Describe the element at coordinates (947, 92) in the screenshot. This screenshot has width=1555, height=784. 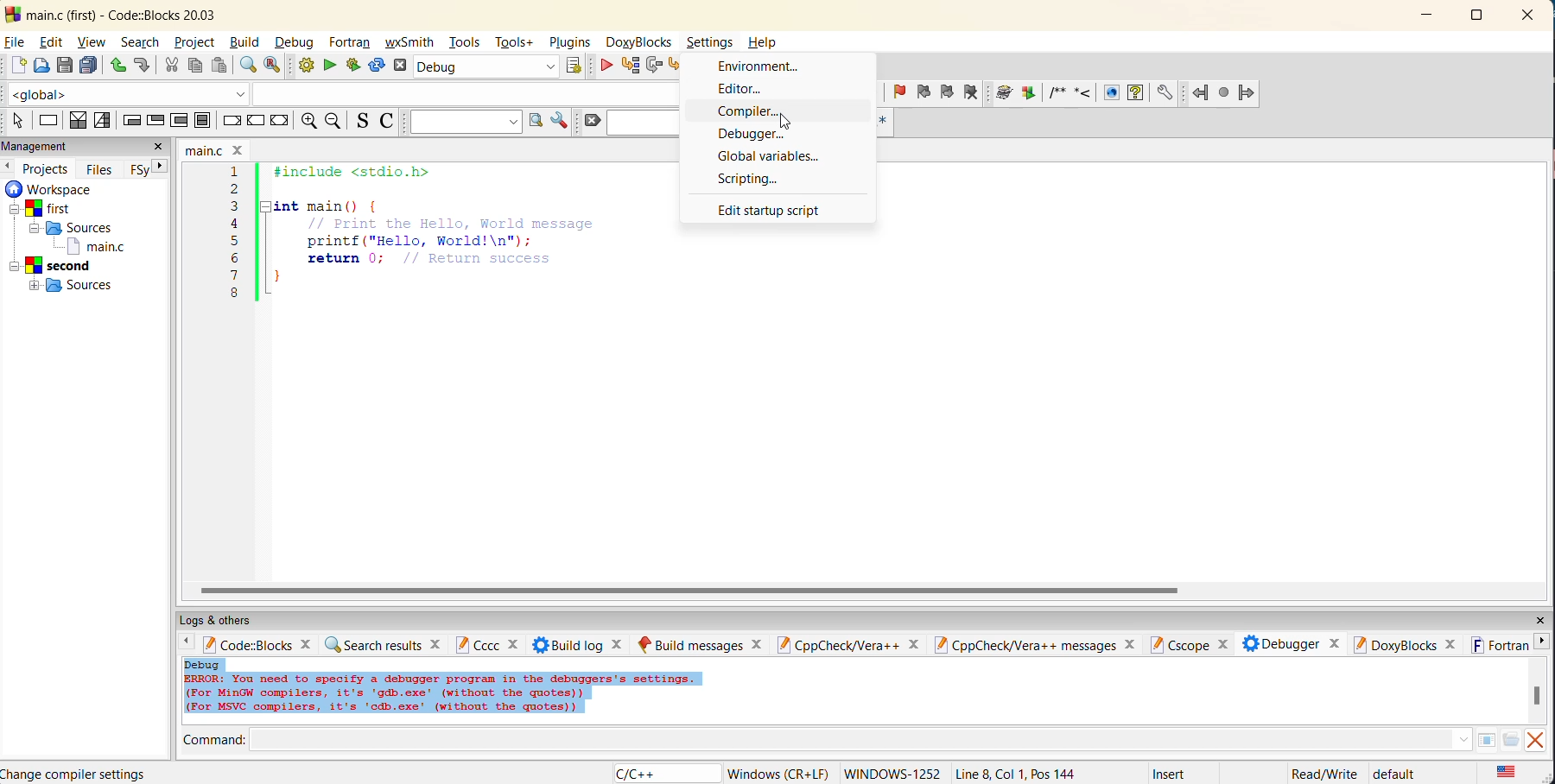
I see `next bookmark` at that location.